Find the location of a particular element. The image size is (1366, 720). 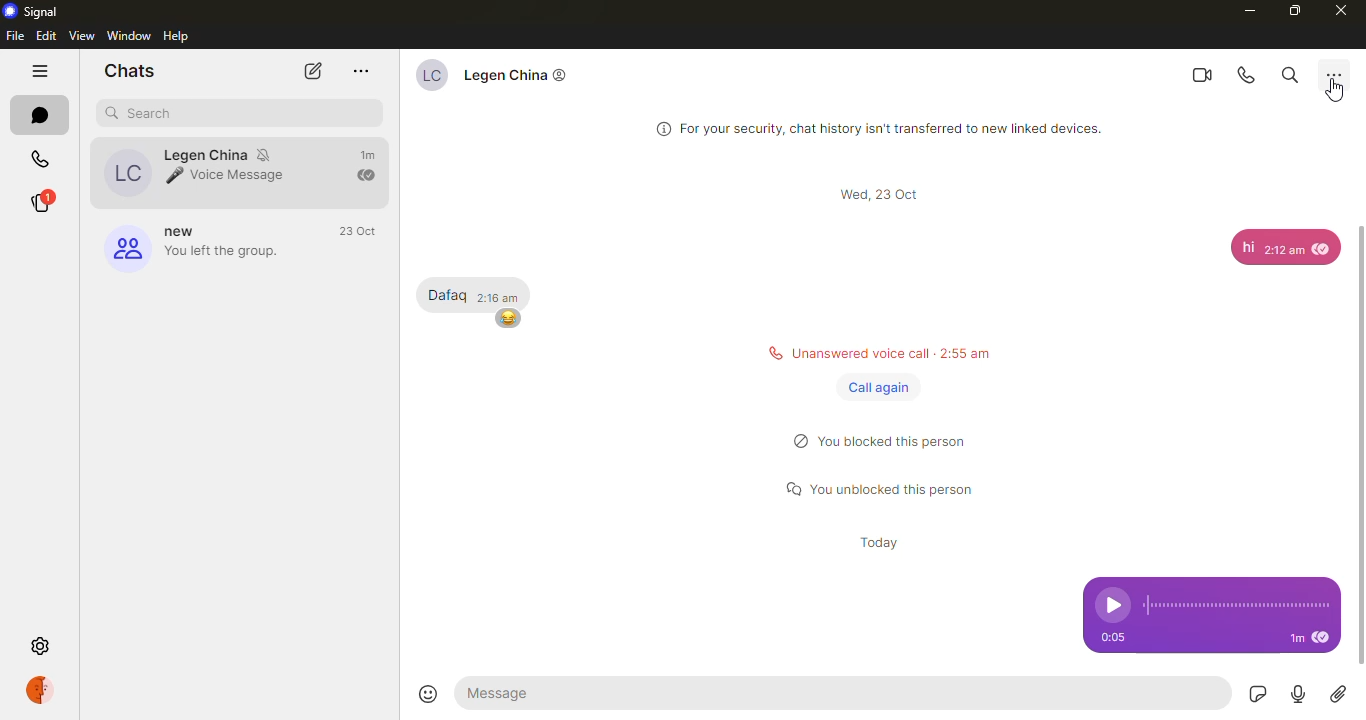

sticker is located at coordinates (1259, 694).